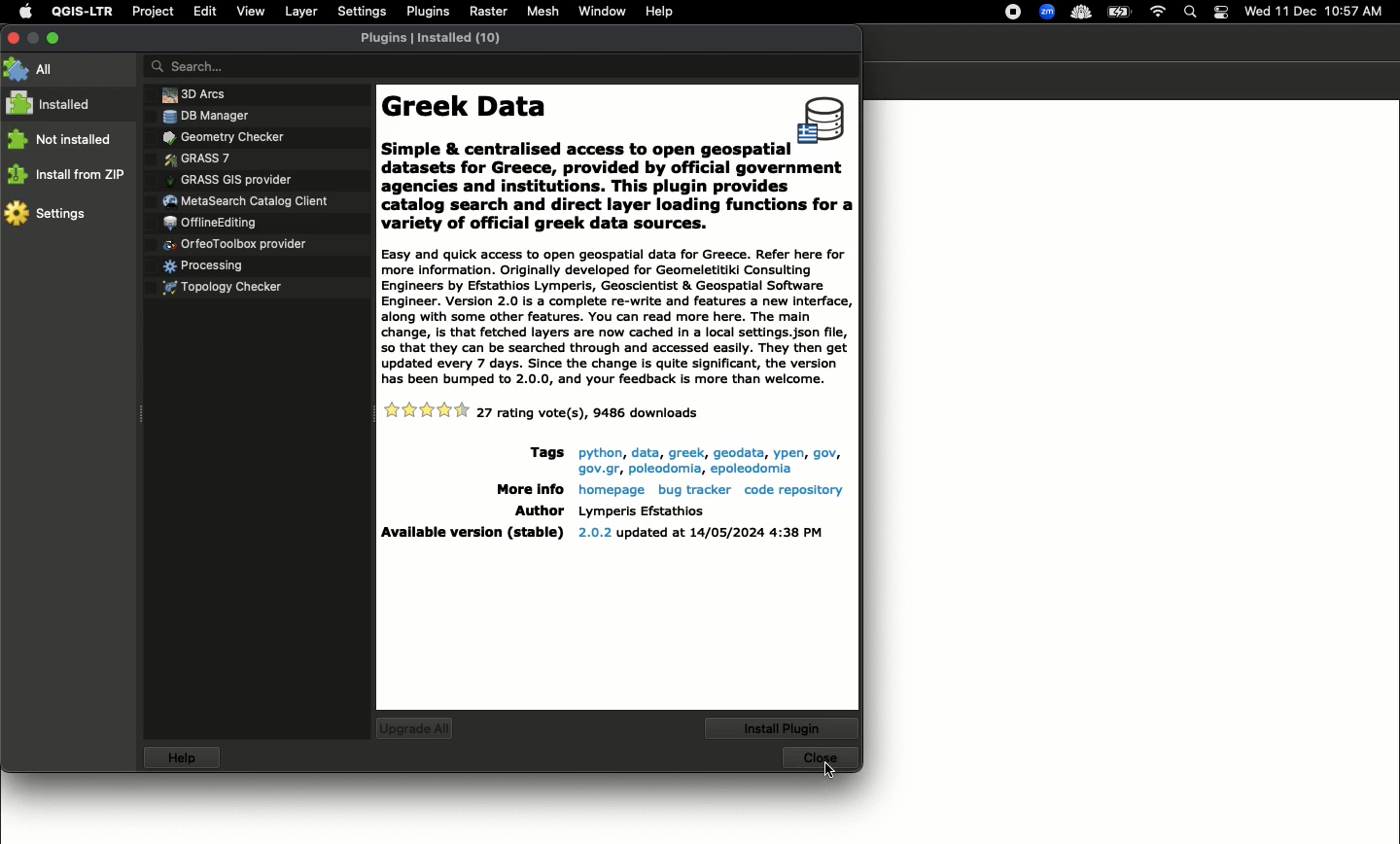  What do you see at coordinates (737, 453) in the screenshot?
I see `geodata,` at bounding box center [737, 453].